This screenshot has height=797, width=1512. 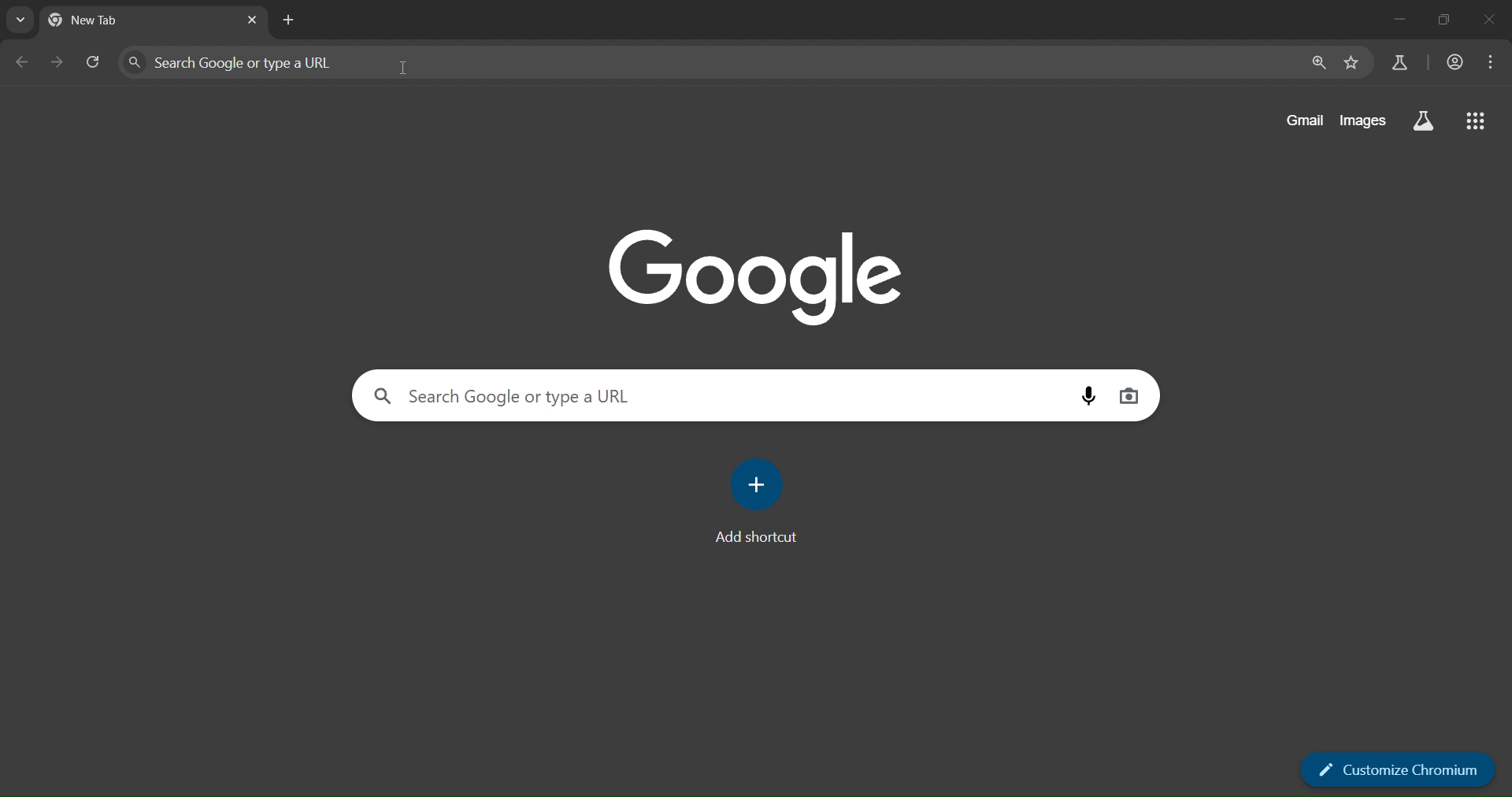 I want to click on google apps, so click(x=1474, y=124).